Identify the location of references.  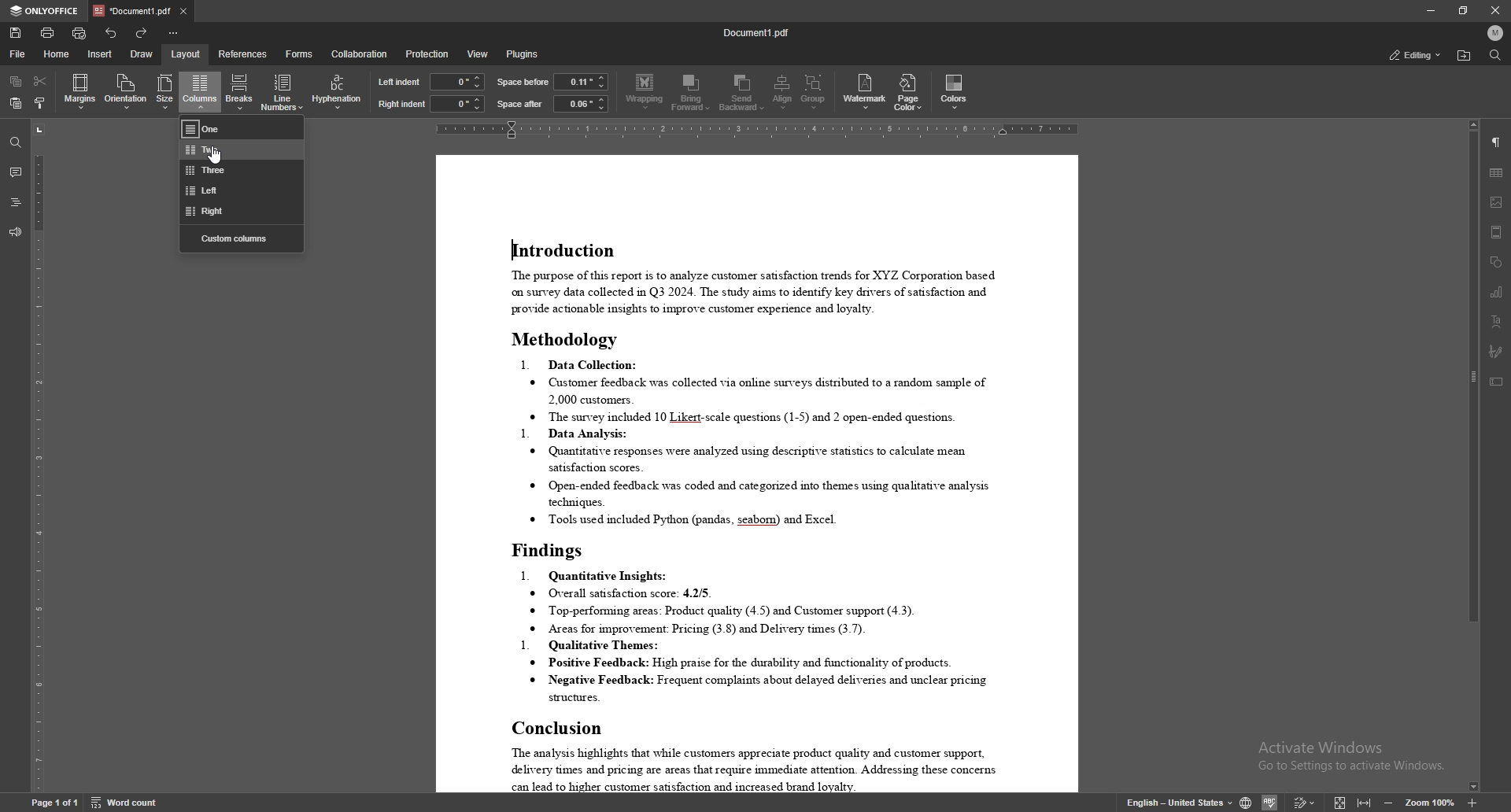
(242, 53).